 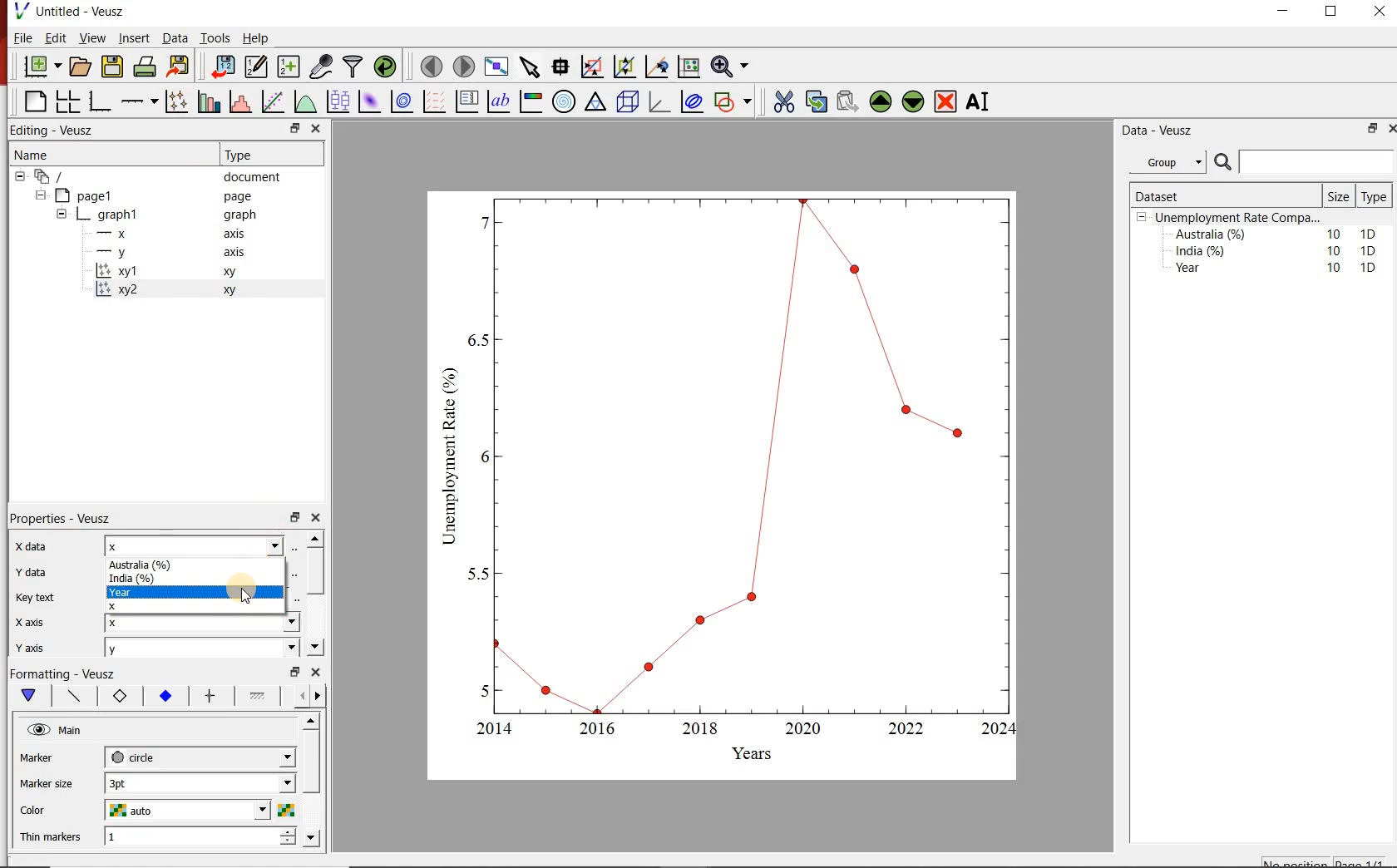 I want to click on move to next page, so click(x=465, y=67).